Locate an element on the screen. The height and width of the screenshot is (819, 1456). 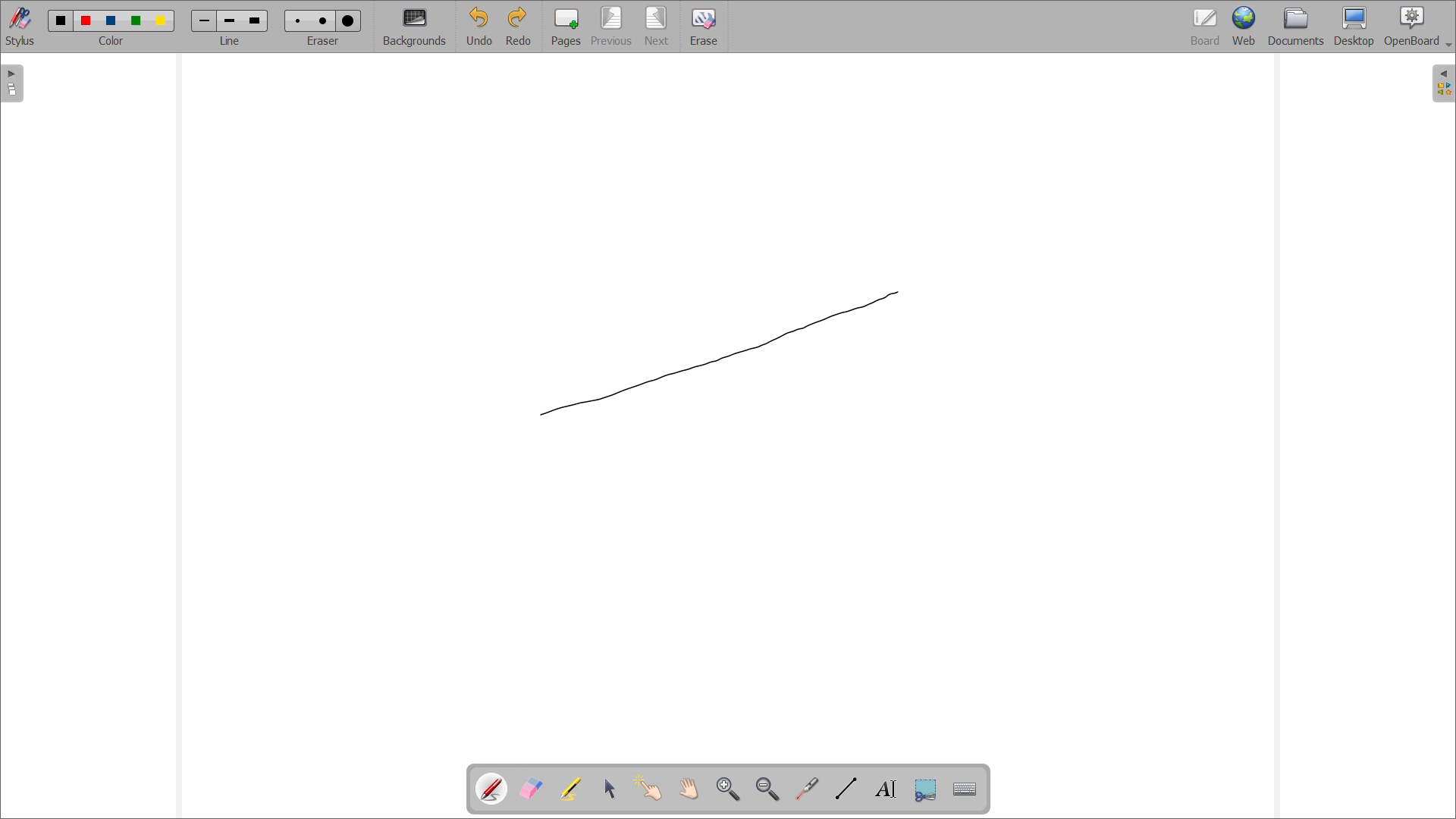
backgrounds is located at coordinates (415, 26).